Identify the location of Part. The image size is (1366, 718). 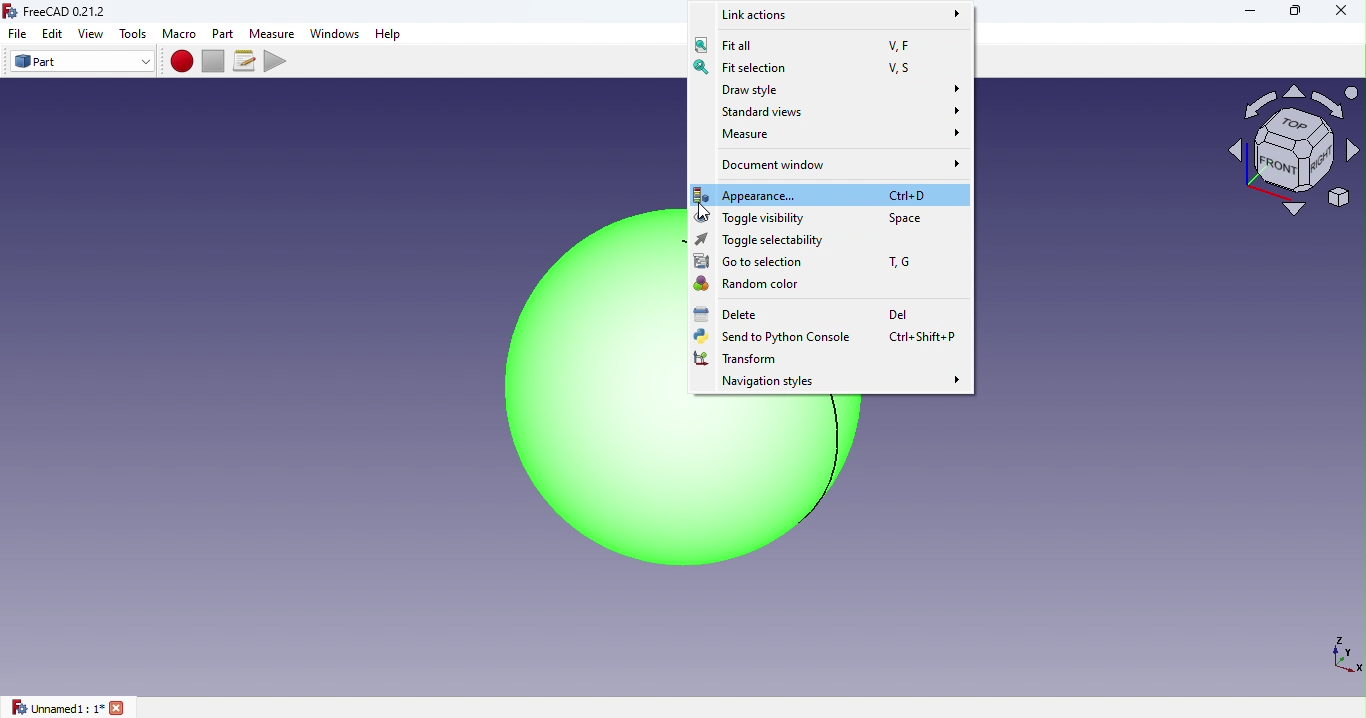
(225, 33).